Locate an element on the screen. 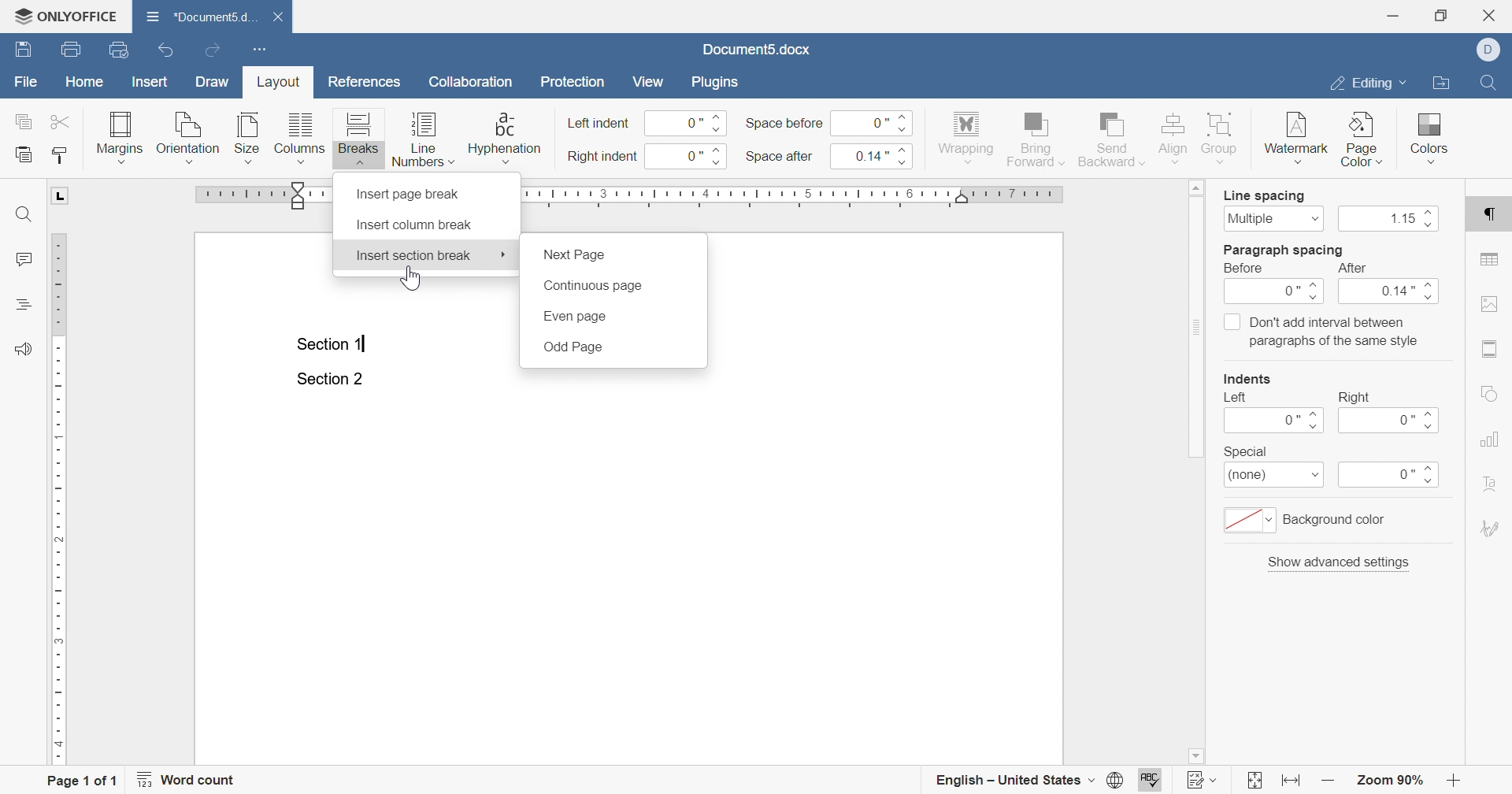  ruler is located at coordinates (821, 196).